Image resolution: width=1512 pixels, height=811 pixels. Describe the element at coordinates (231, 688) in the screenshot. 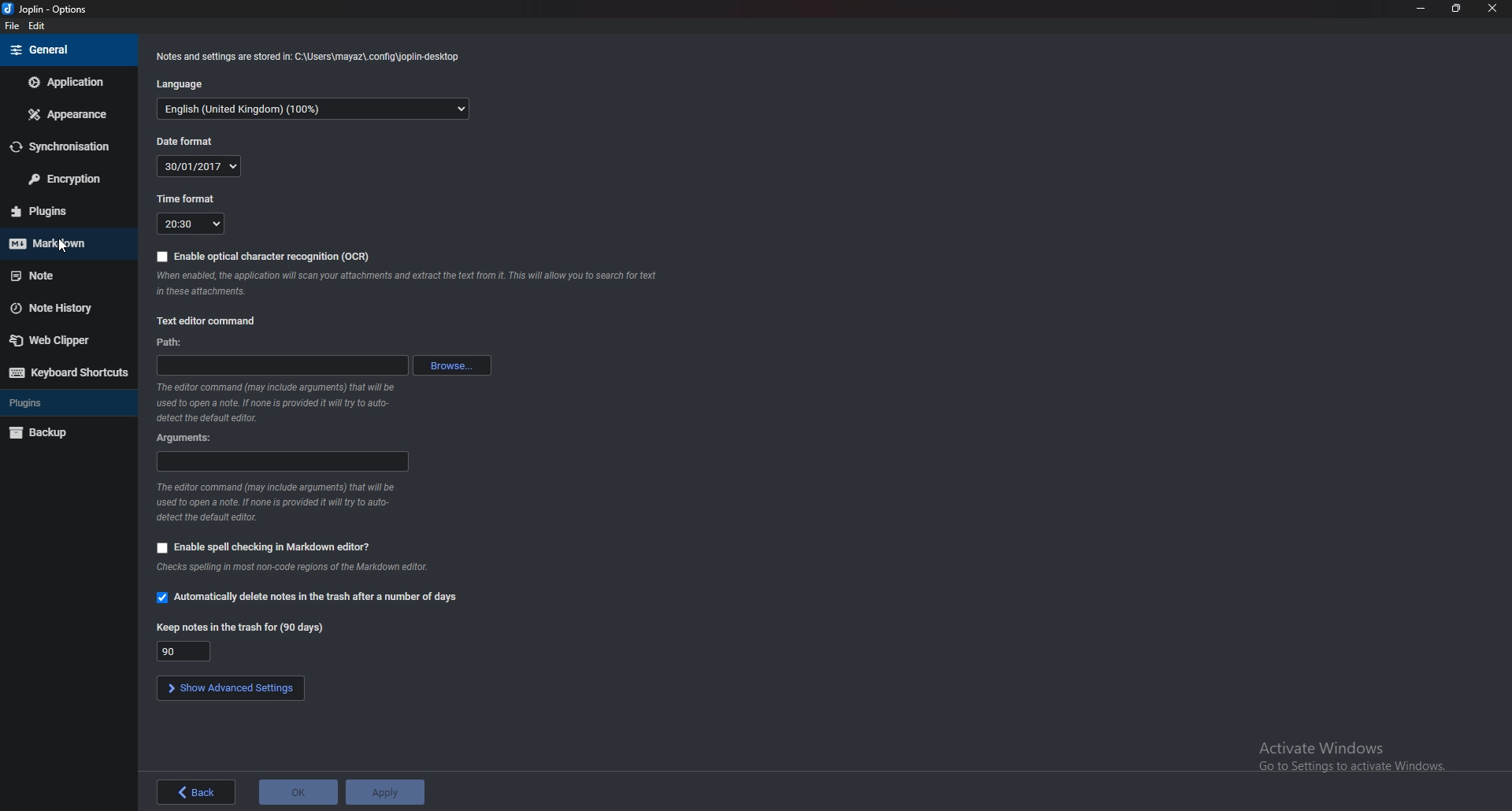

I see `Show advanced settings` at that location.